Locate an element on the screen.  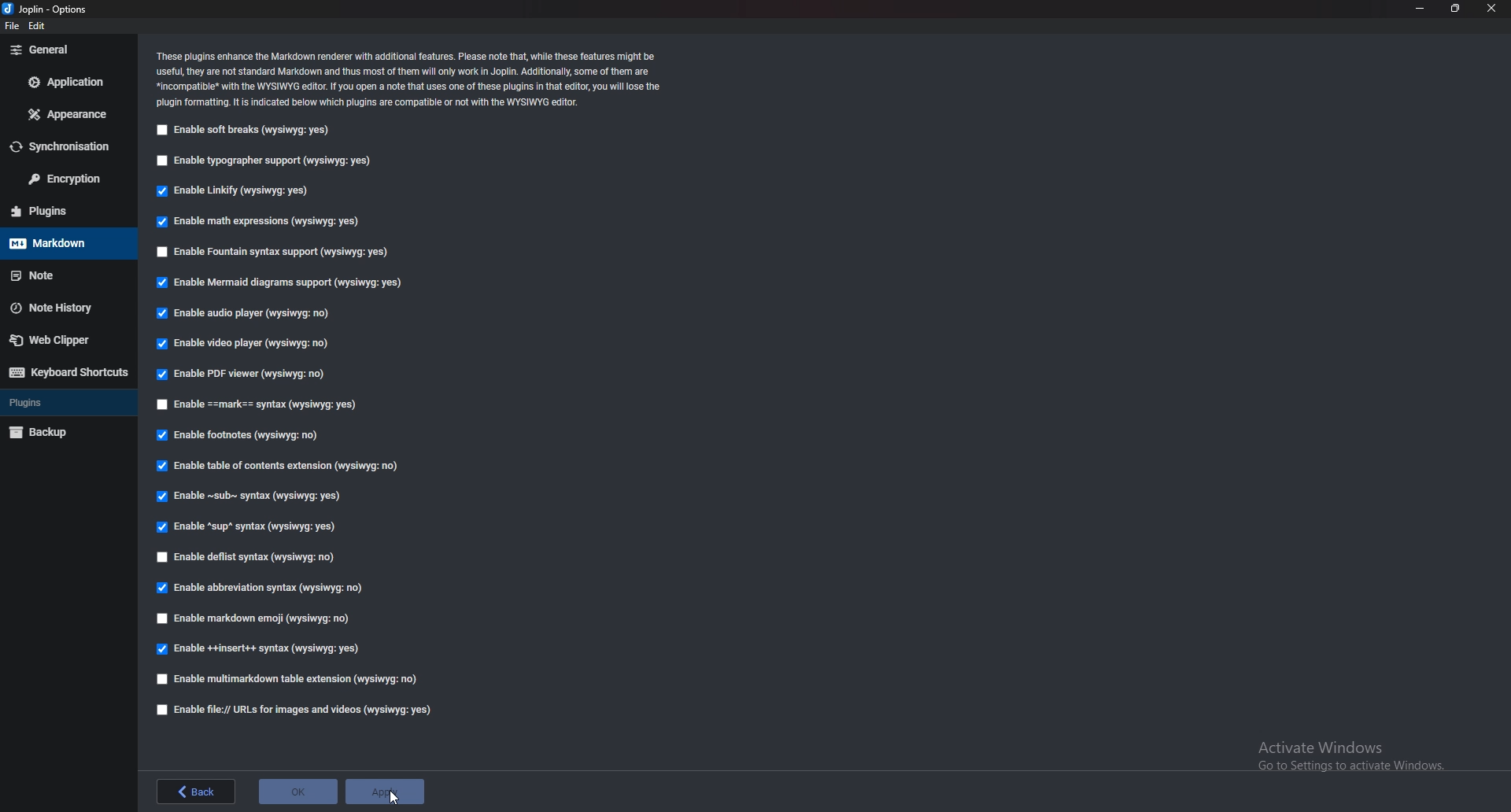
Encryption is located at coordinates (69, 179).